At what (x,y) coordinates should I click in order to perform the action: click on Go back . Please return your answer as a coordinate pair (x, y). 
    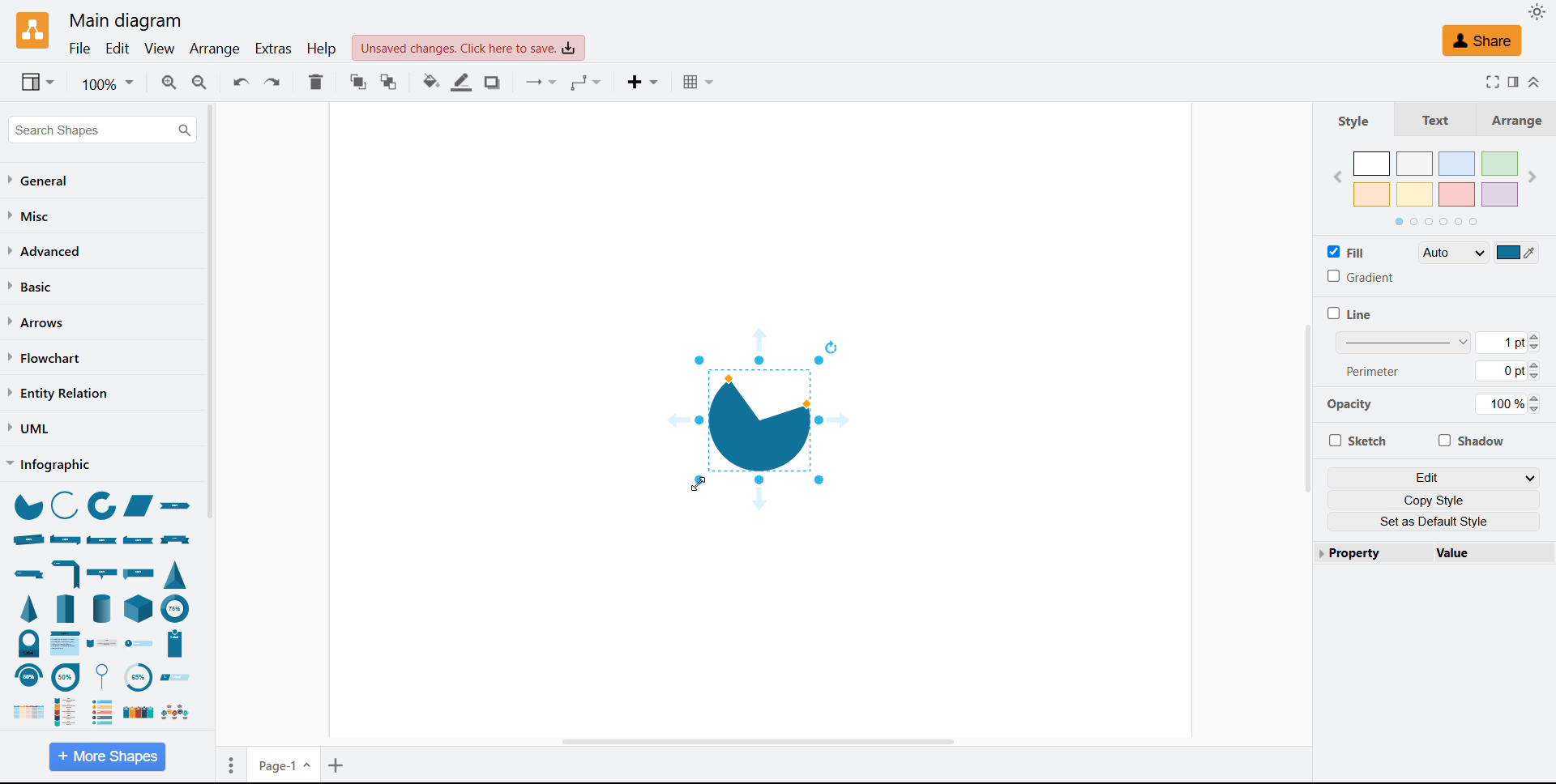
    Looking at the image, I should click on (1337, 178).